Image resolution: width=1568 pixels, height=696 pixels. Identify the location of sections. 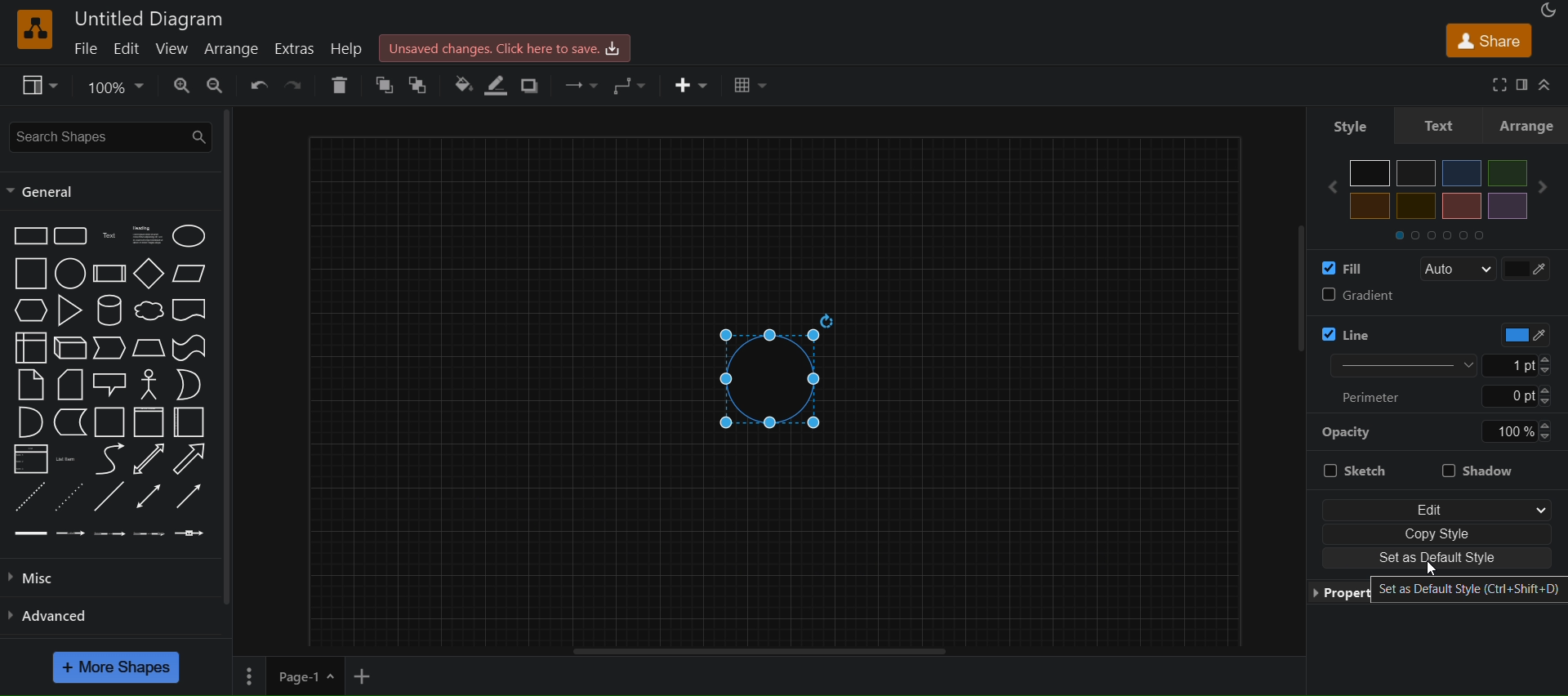
(1453, 234).